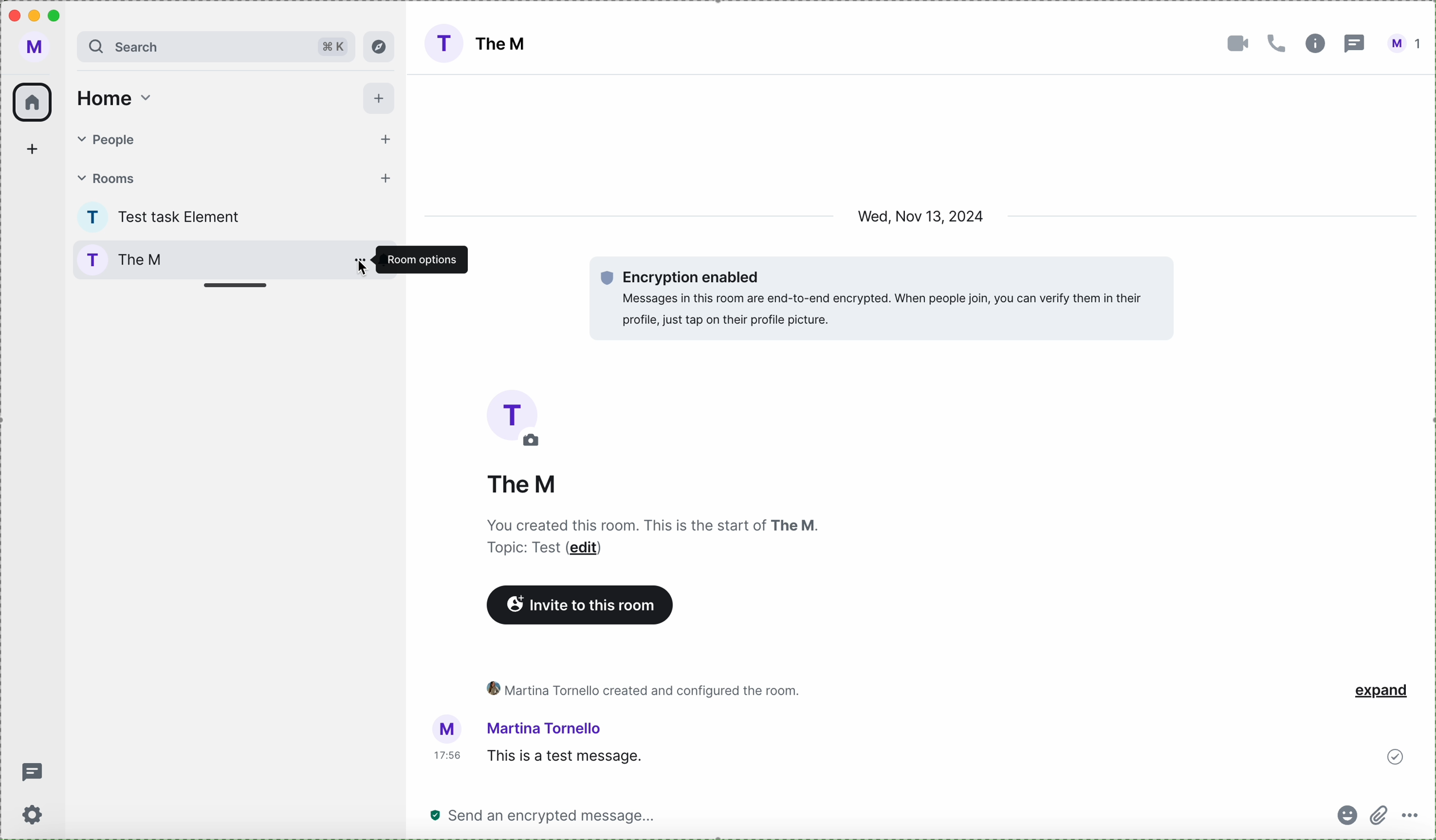 The height and width of the screenshot is (840, 1436). What do you see at coordinates (1381, 816) in the screenshot?
I see `attach file` at bounding box center [1381, 816].